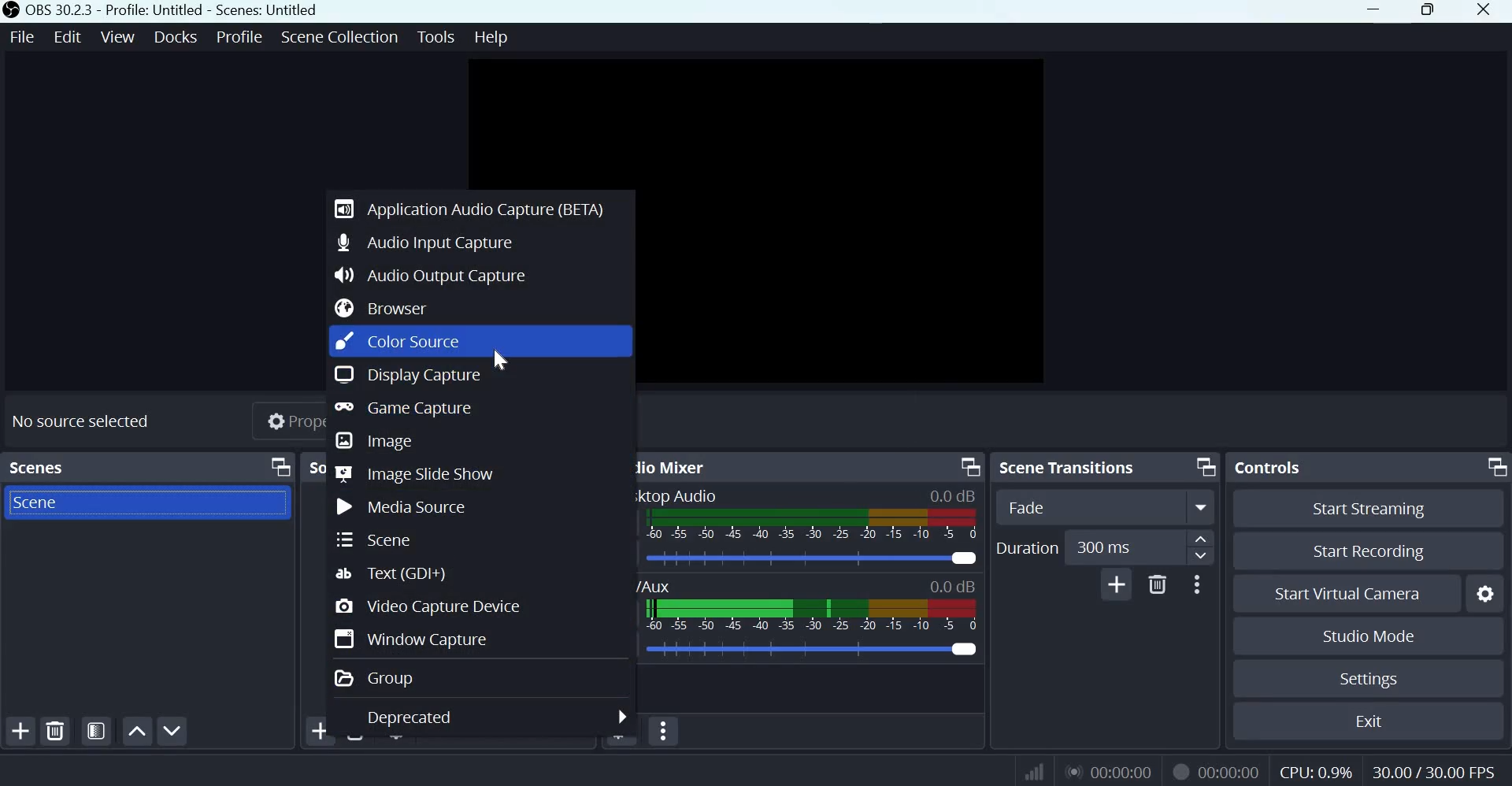  I want to click on Display Capture, so click(406, 374).